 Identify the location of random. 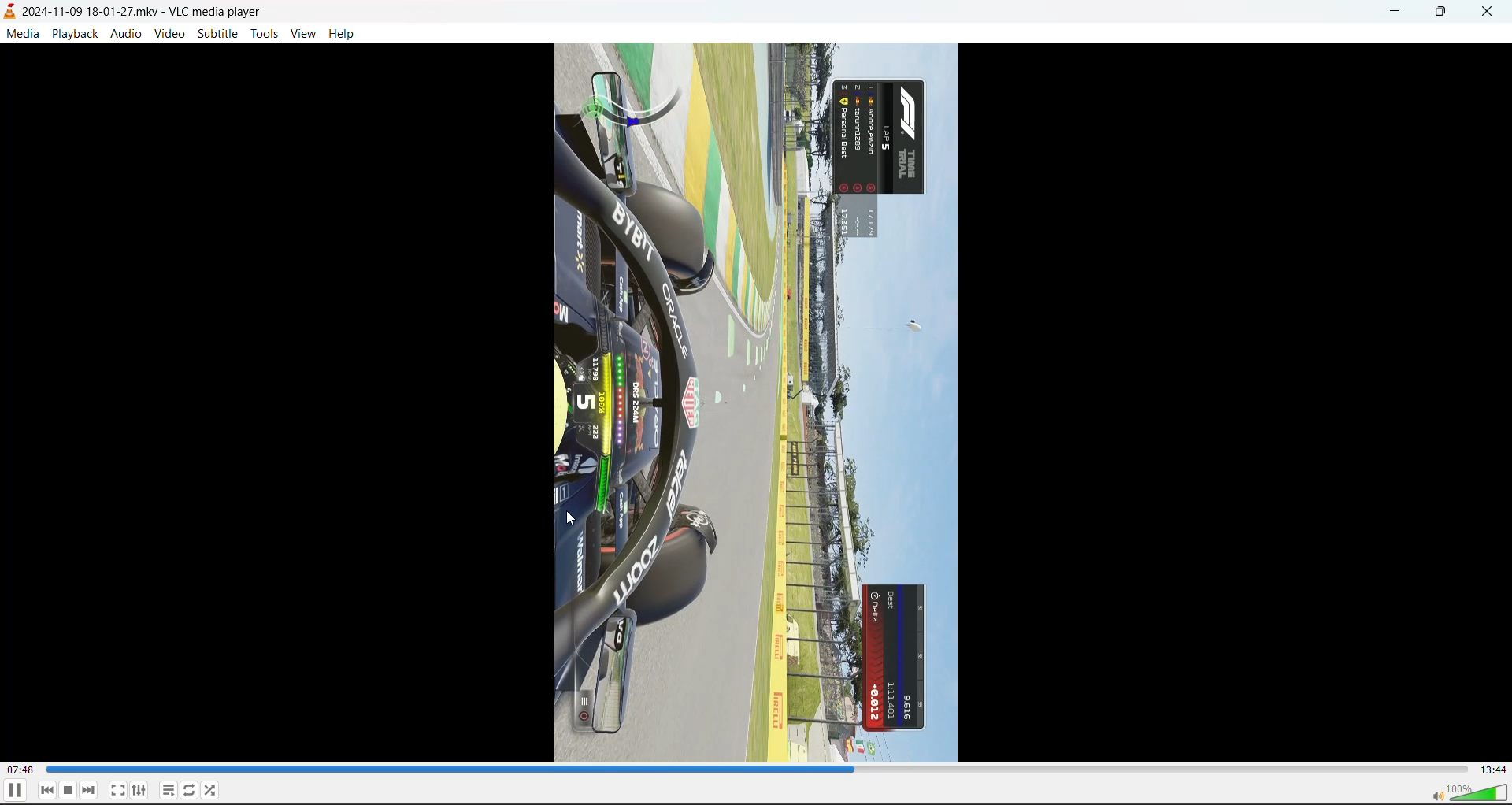
(213, 792).